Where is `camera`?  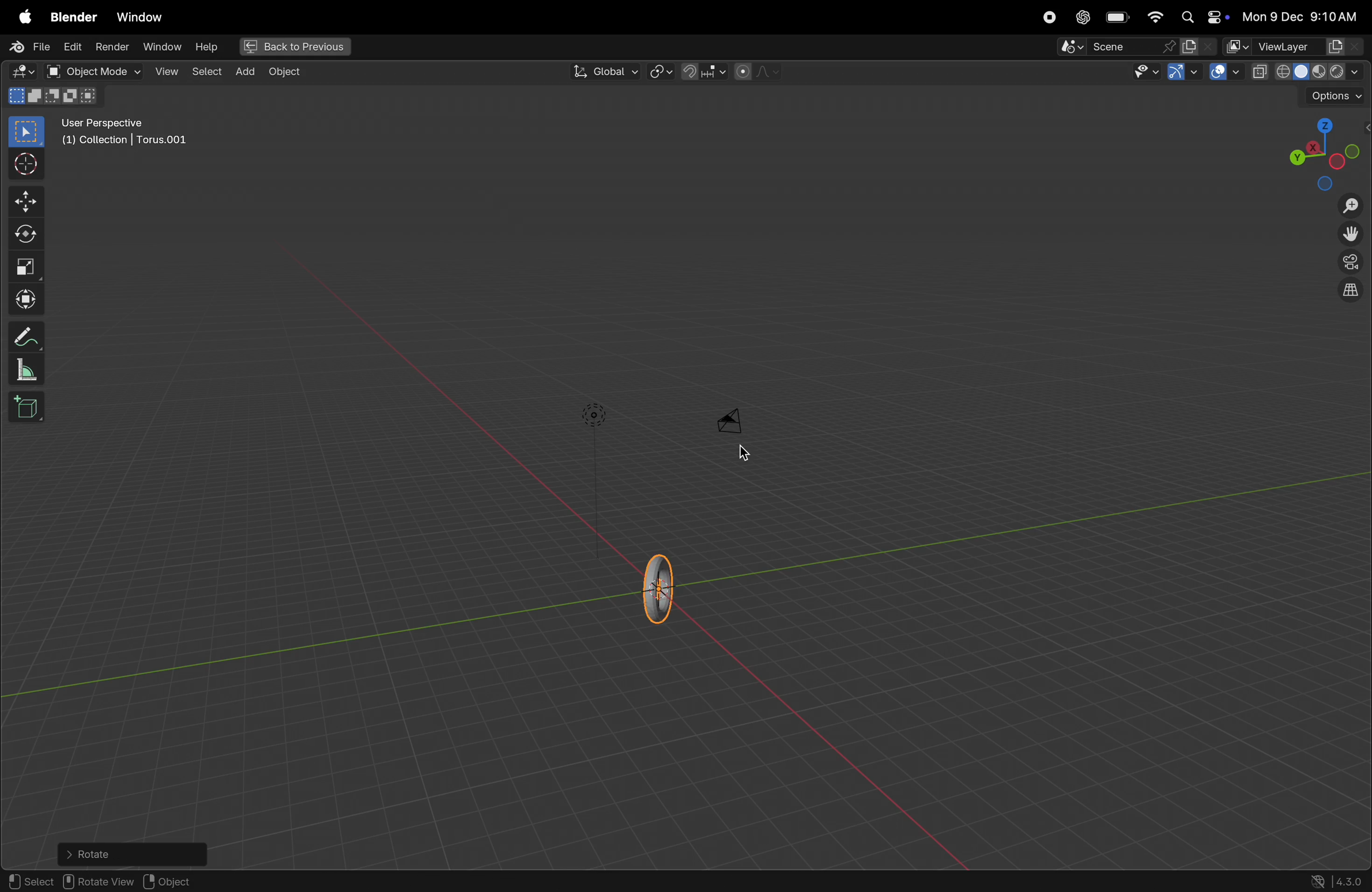 camera is located at coordinates (737, 417).